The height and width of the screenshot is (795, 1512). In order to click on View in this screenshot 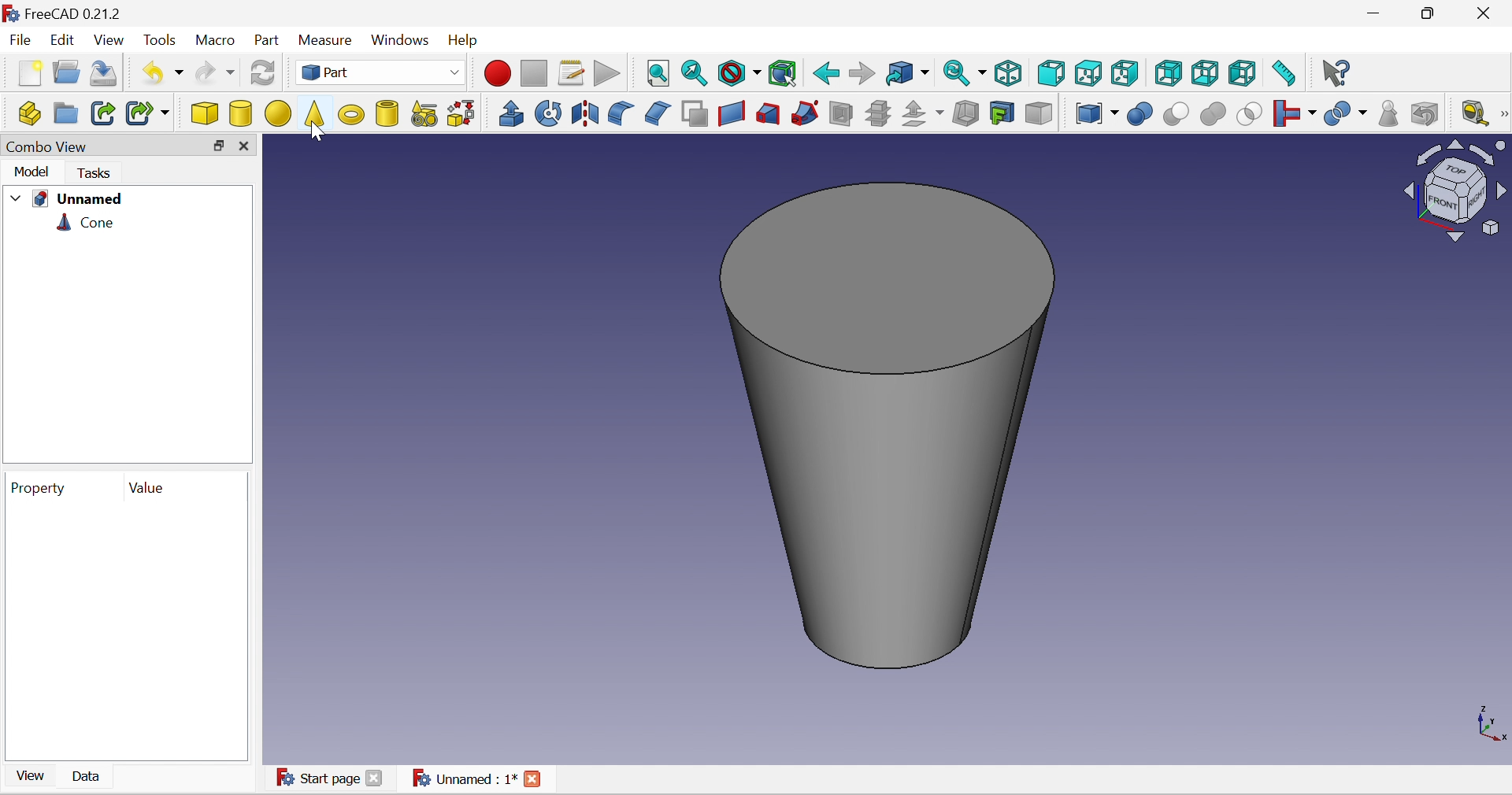, I will do `click(109, 40)`.